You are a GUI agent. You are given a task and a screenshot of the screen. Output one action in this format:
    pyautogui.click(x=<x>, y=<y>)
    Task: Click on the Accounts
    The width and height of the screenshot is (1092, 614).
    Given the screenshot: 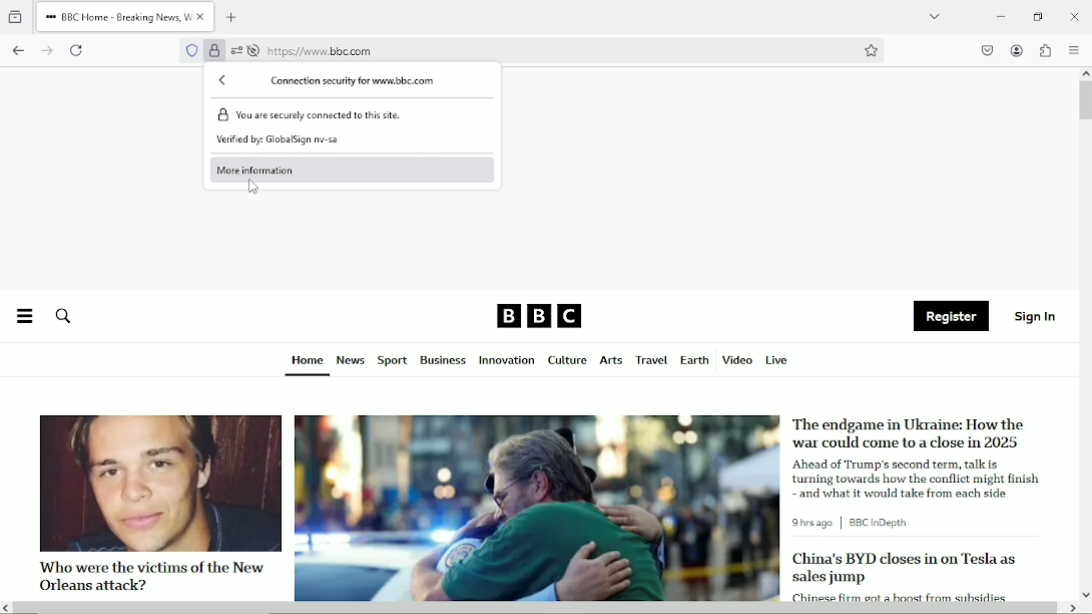 What is the action you would take?
    pyautogui.click(x=1015, y=48)
    